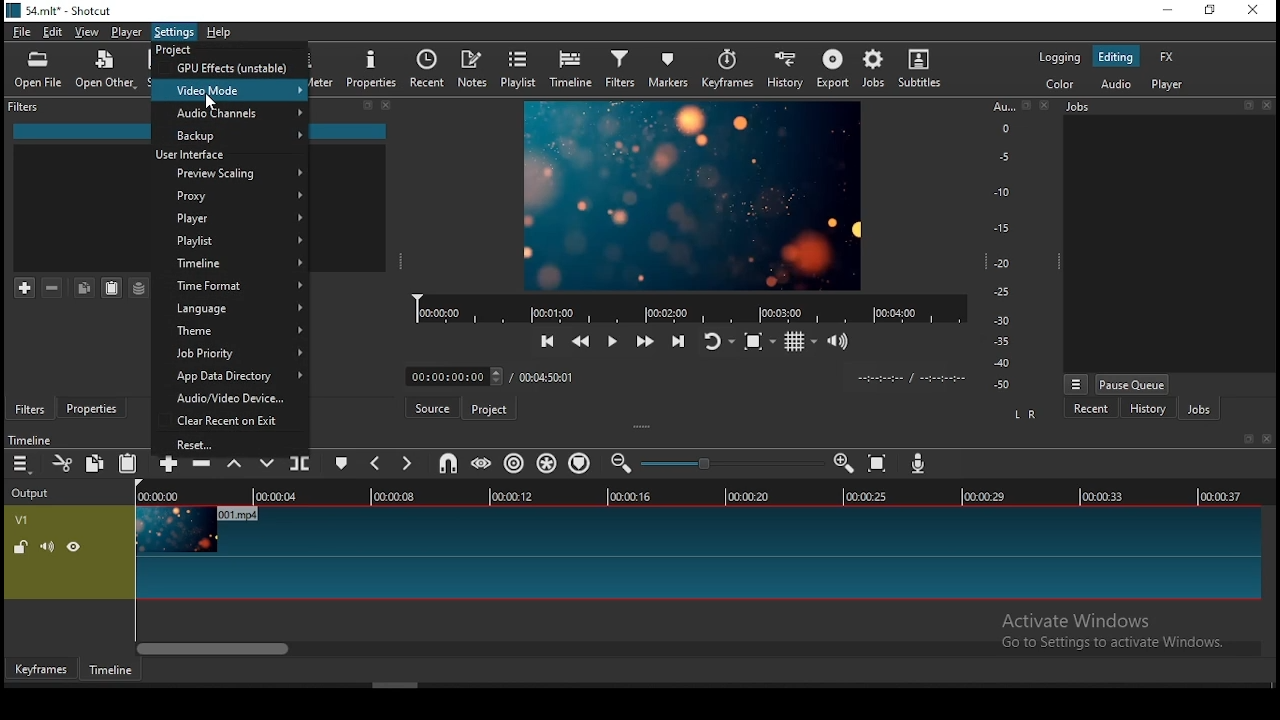 This screenshot has width=1280, height=720. What do you see at coordinates (95, 462) in the screenshot?
I see `copy` at bounding box center [95, 462].